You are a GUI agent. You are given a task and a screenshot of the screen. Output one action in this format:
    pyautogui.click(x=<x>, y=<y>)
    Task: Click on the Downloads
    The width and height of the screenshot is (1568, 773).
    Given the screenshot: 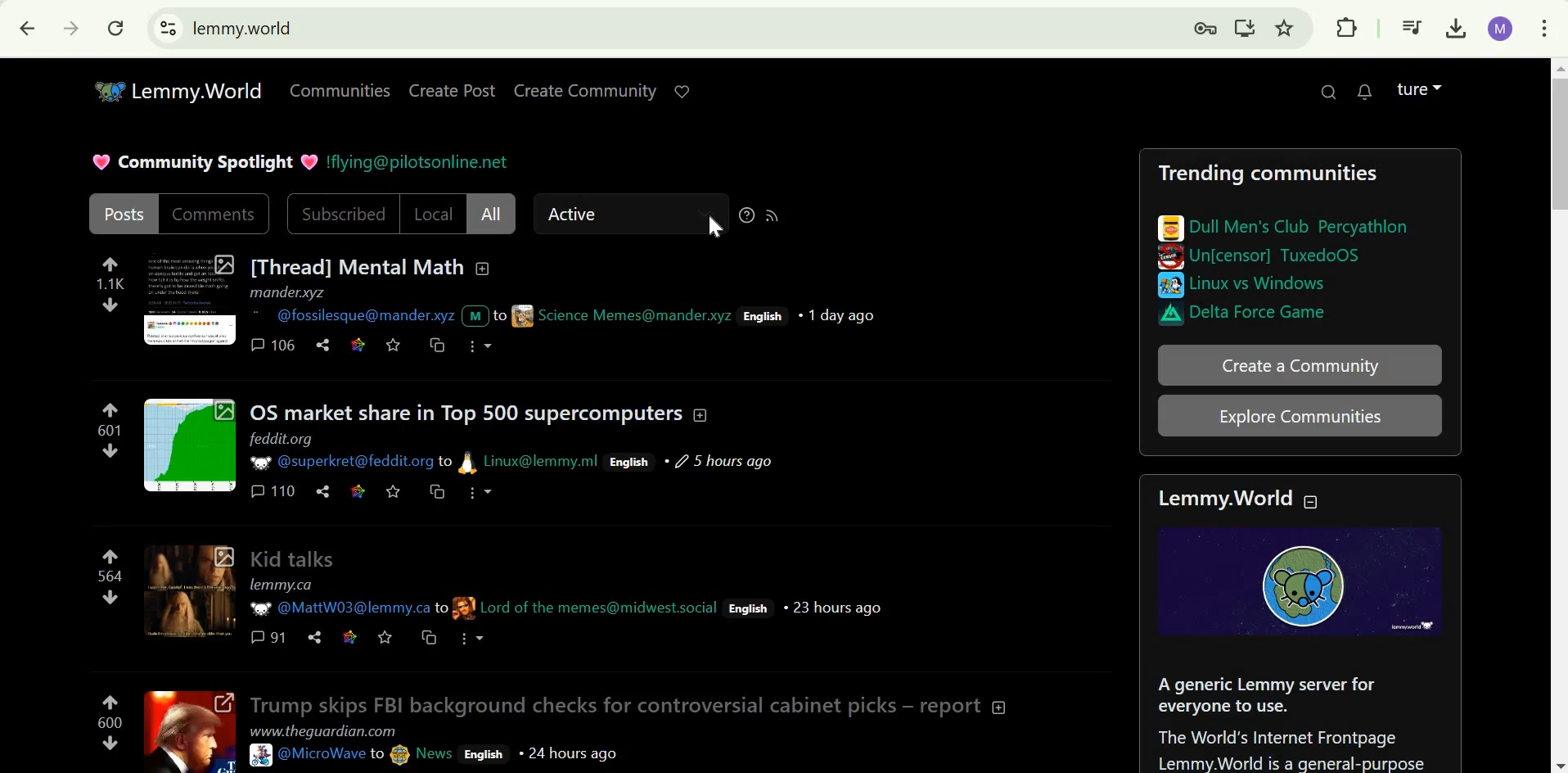 What is the action you would take?
    pyautogui.click(x=1454, y=29)
    